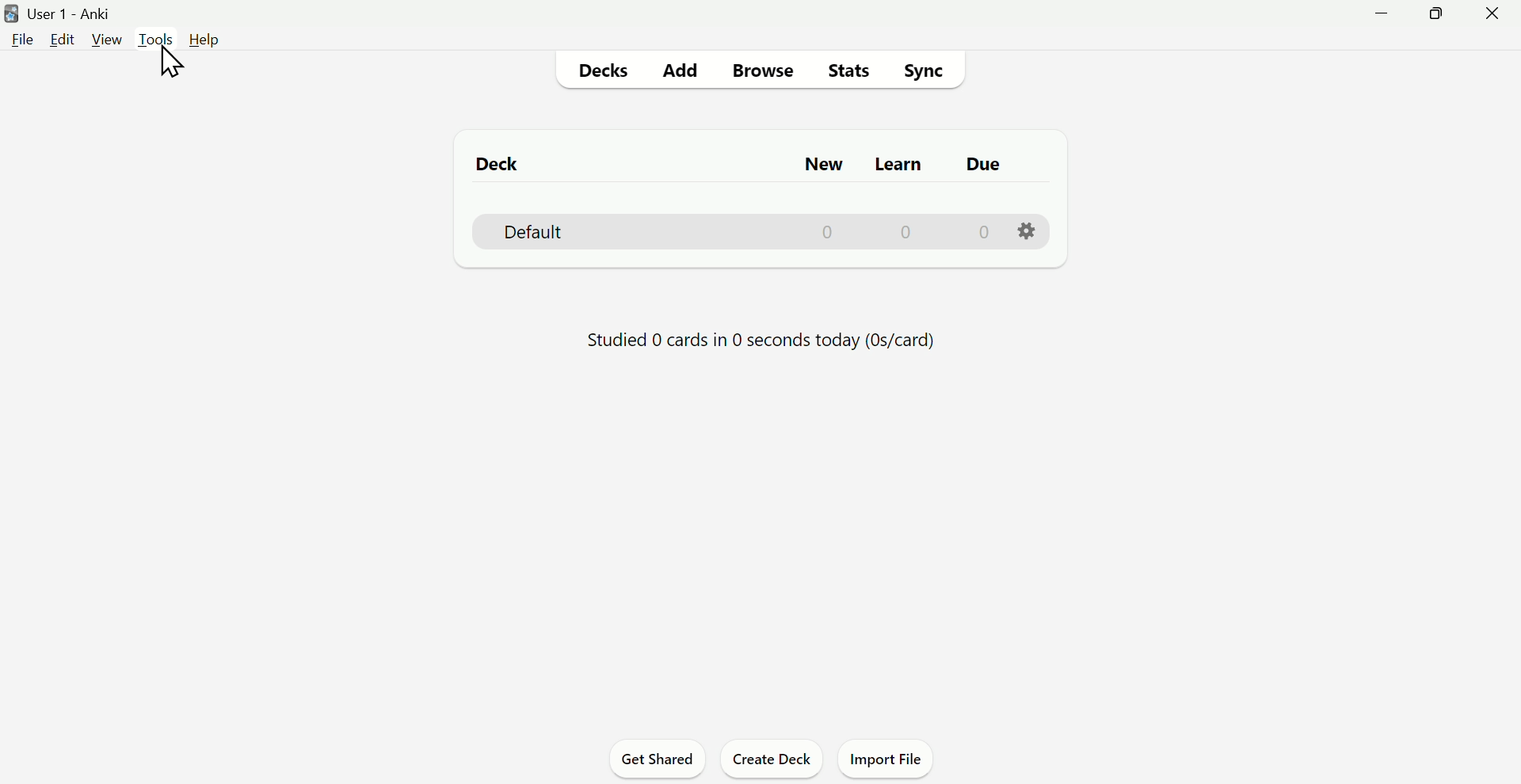 The image size is (1521, 784). What do you see at coordinates (1492, 17) in the screenshot?
I see `Close` at bounding box center [1492, 17].